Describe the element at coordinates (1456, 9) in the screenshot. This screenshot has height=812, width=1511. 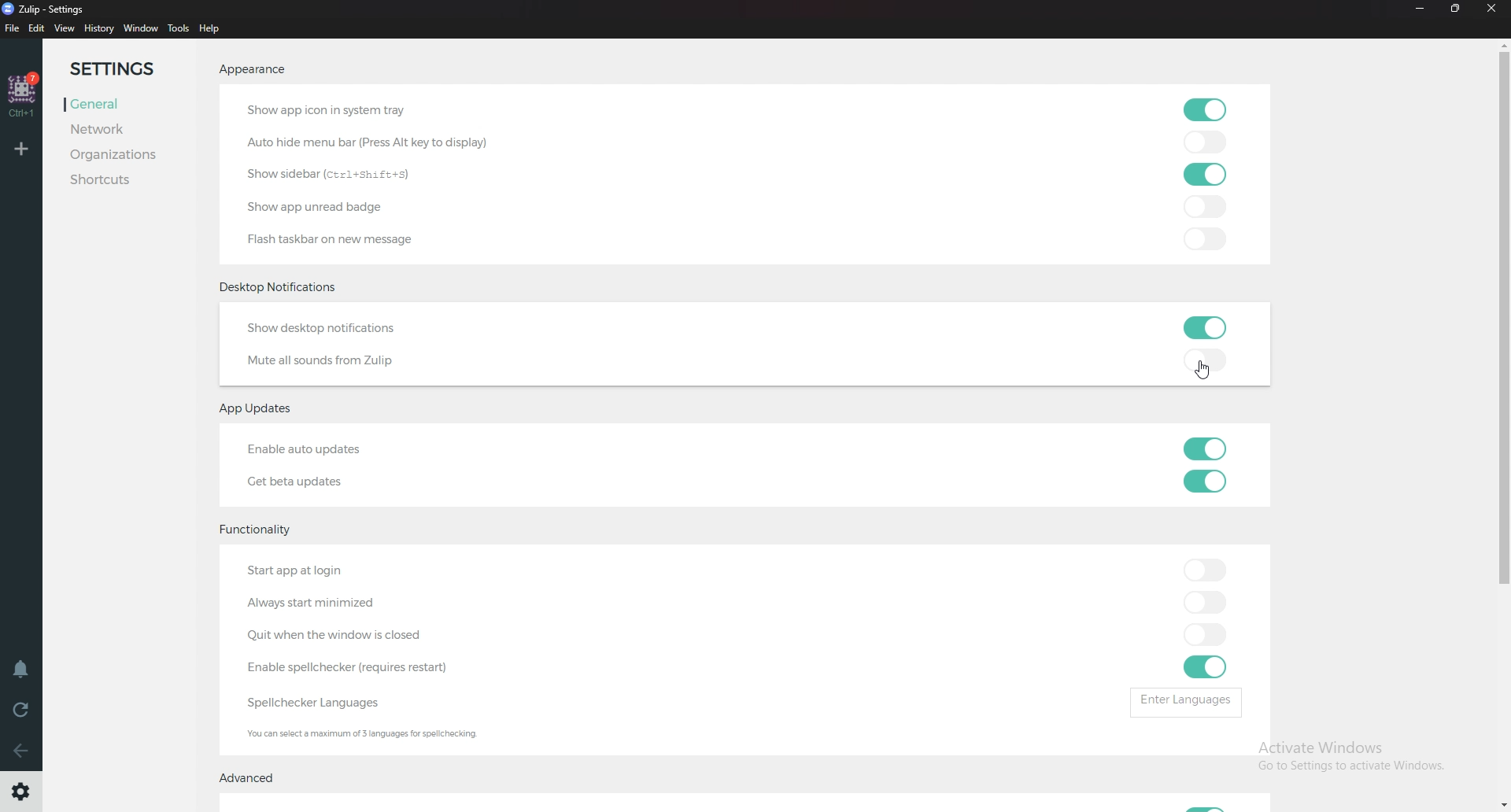
I see `Resize` at that location.